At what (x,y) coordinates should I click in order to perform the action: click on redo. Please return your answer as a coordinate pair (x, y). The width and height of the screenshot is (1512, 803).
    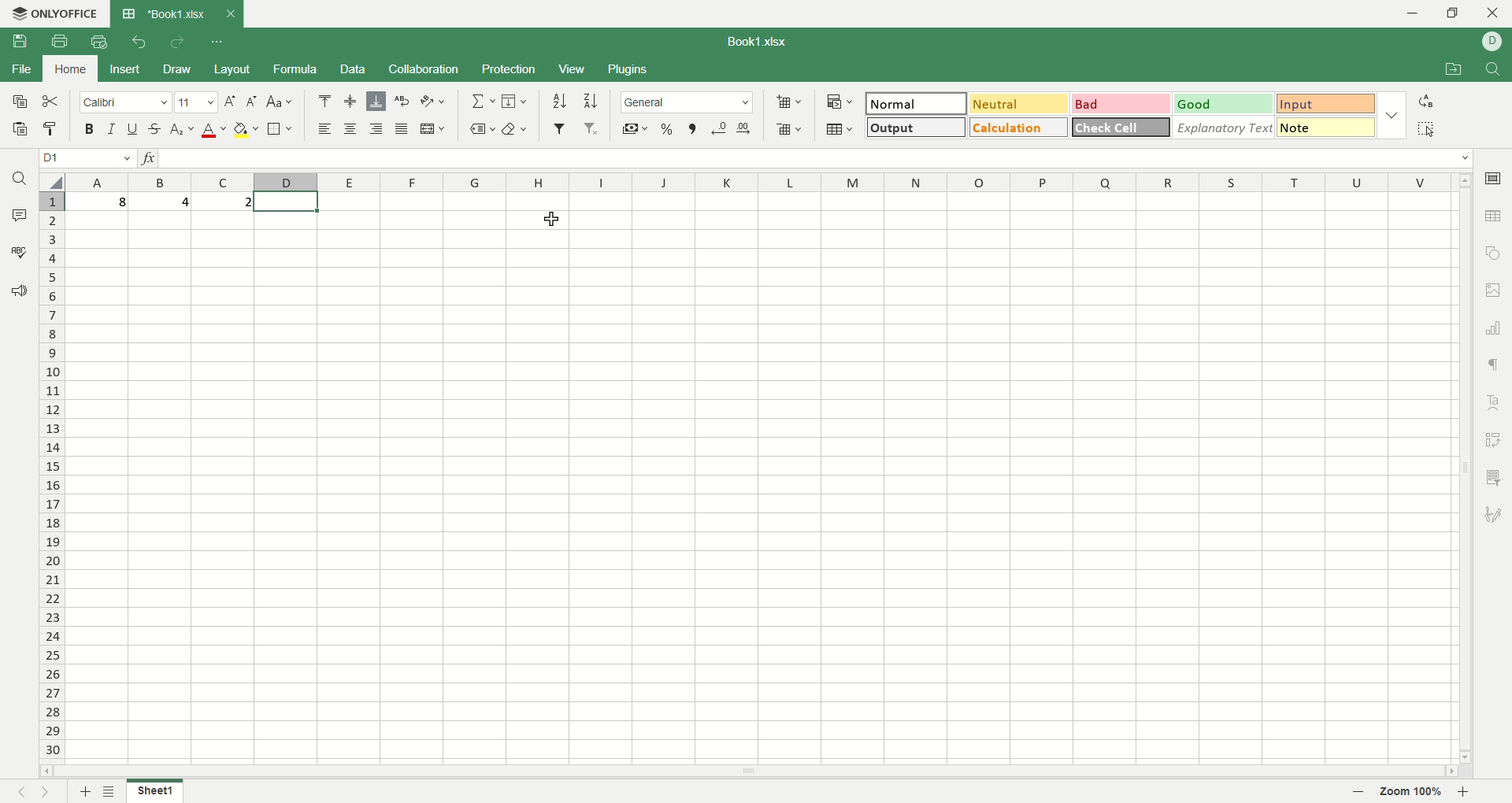
    Looking at the image, I should click on (176, 41).